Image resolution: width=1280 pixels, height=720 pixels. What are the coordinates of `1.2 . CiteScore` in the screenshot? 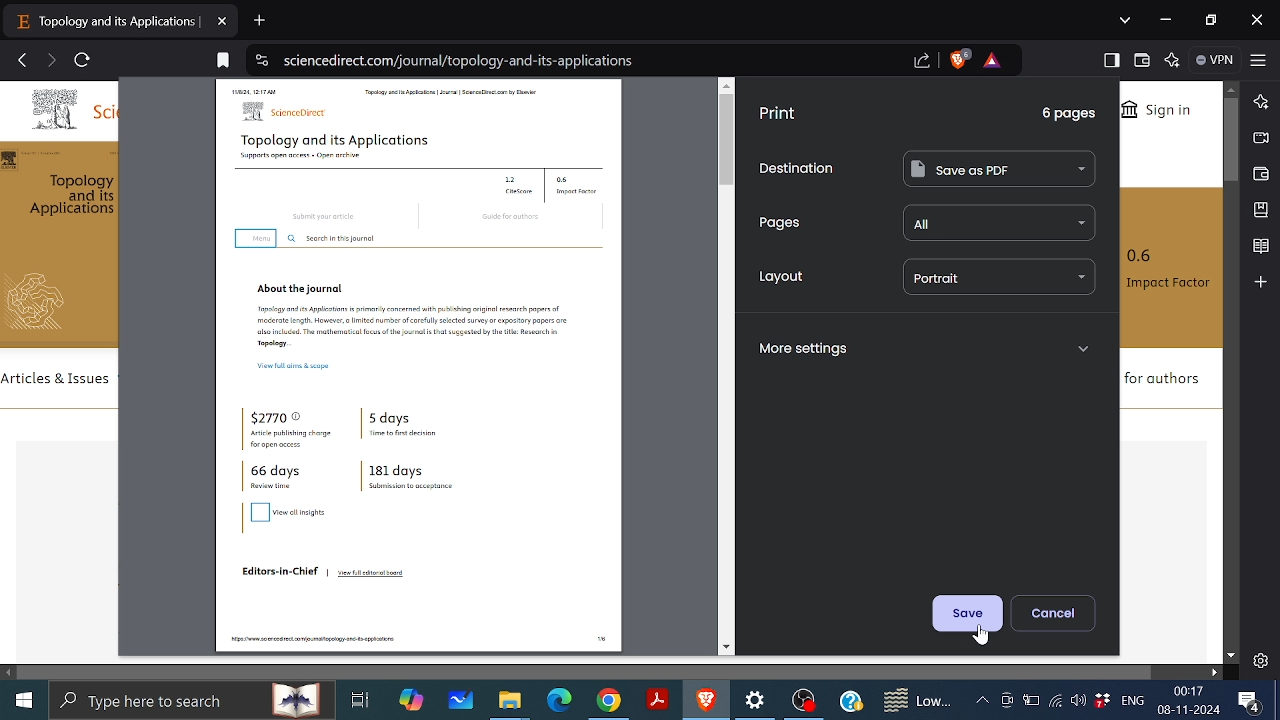 It's located at (520, 185).